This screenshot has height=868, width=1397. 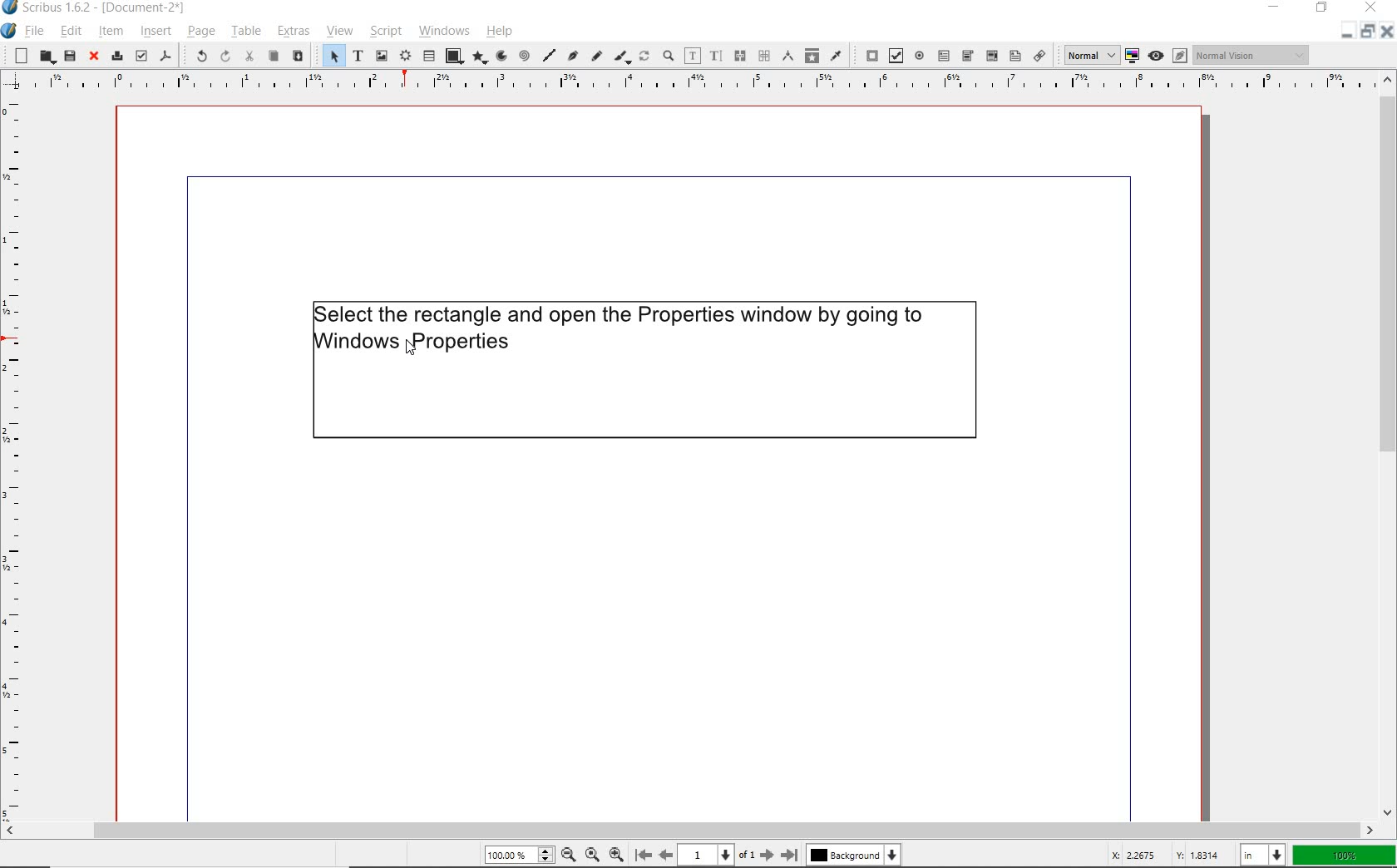 I want to click on pdf list box, so click(x=992, y=57).